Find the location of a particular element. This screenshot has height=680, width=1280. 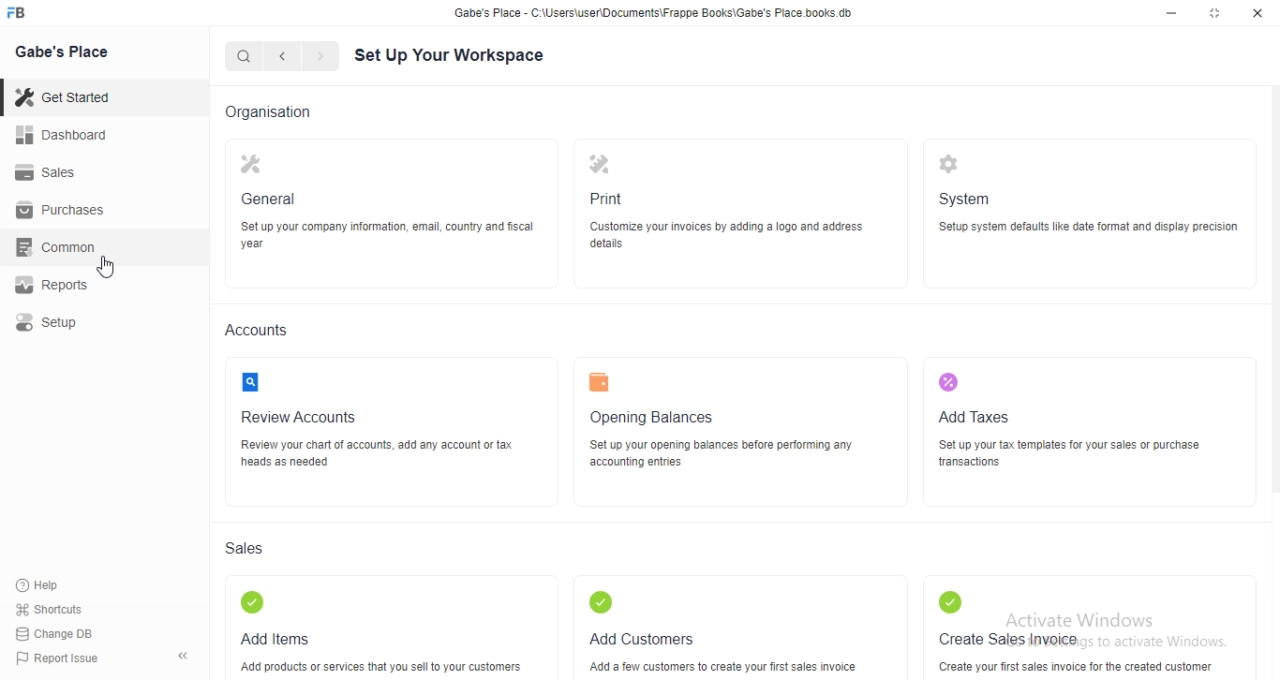

‘Set up your tax templates for your sales or purchase
transactions. is located at coordinates (1076, 457).